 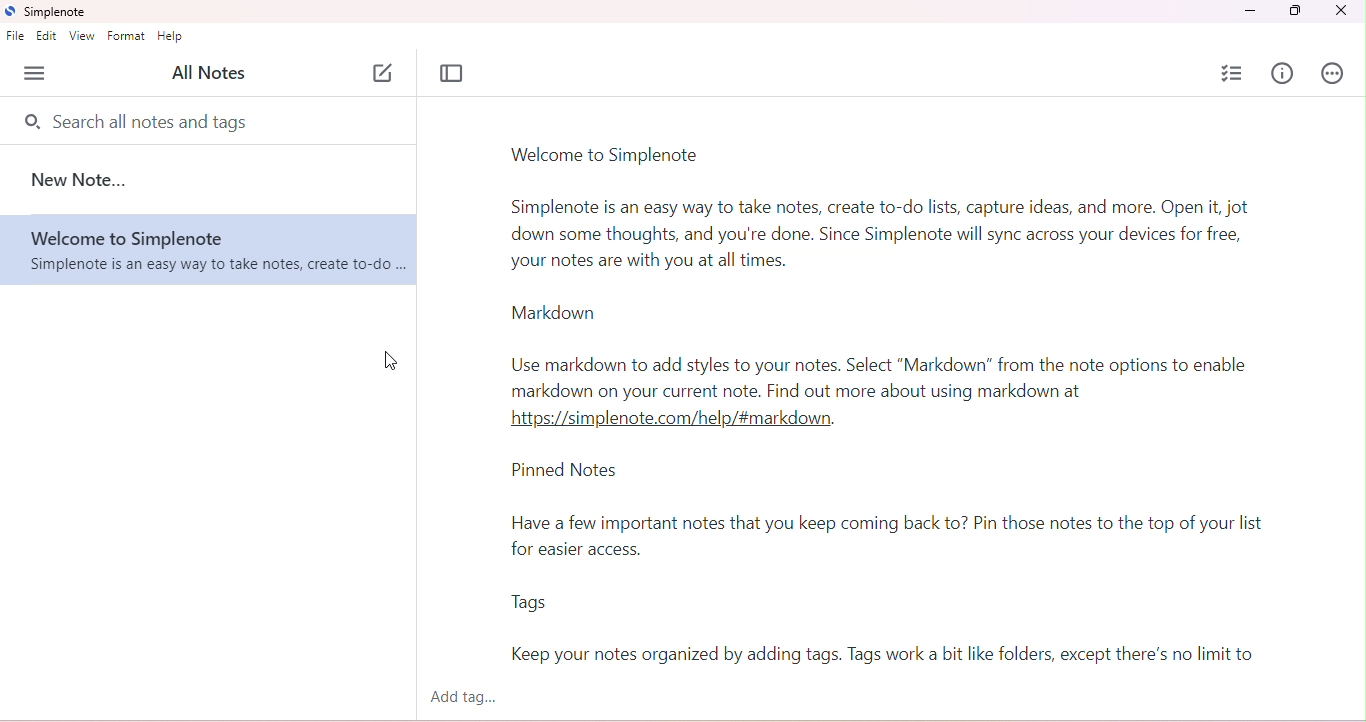 I want to click on actions, so click(x=1336, y=73).